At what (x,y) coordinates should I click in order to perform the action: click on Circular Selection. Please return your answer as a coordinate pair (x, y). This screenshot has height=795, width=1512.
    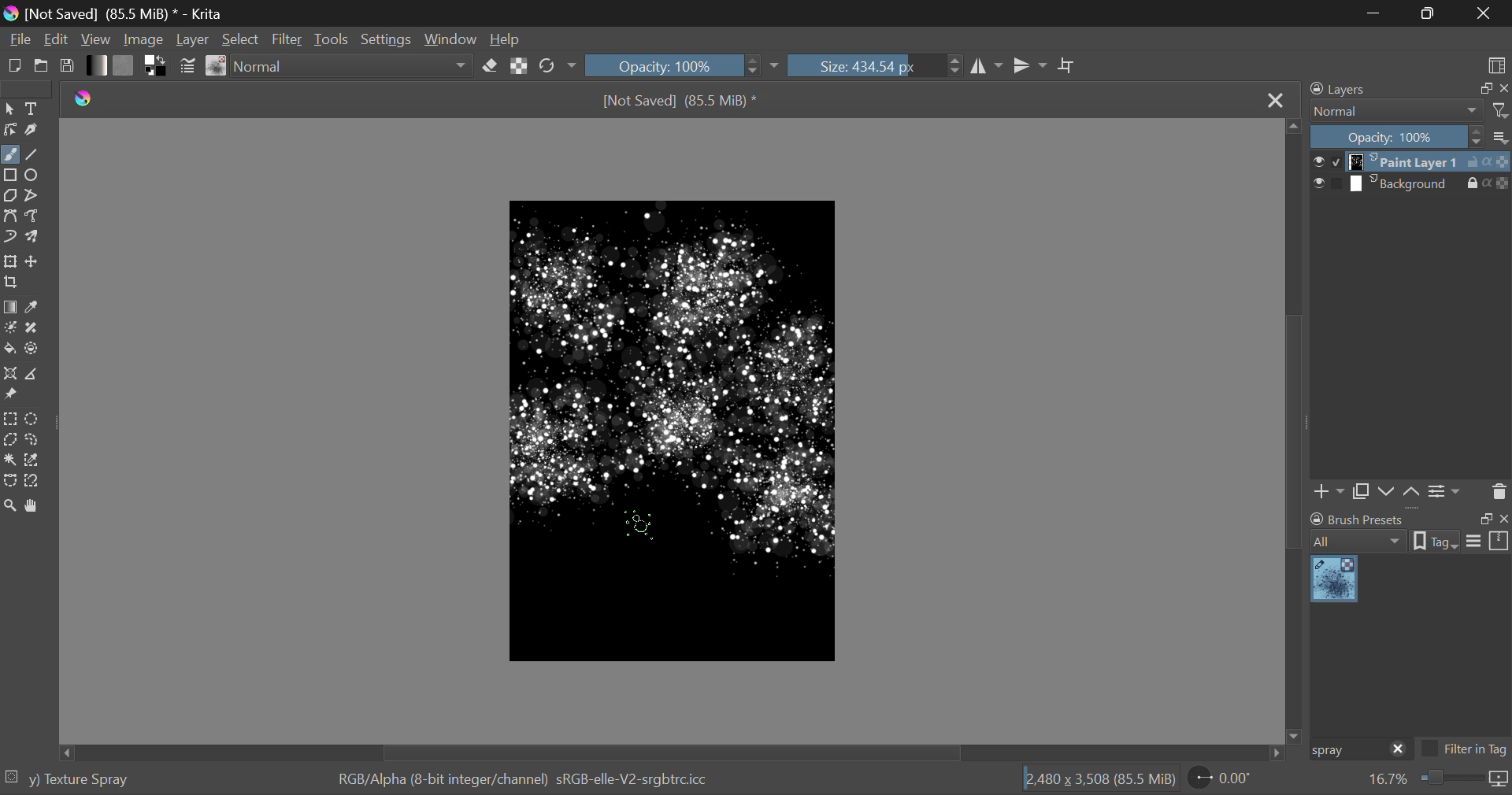
    Looking at the image, I should click on (32, 419).